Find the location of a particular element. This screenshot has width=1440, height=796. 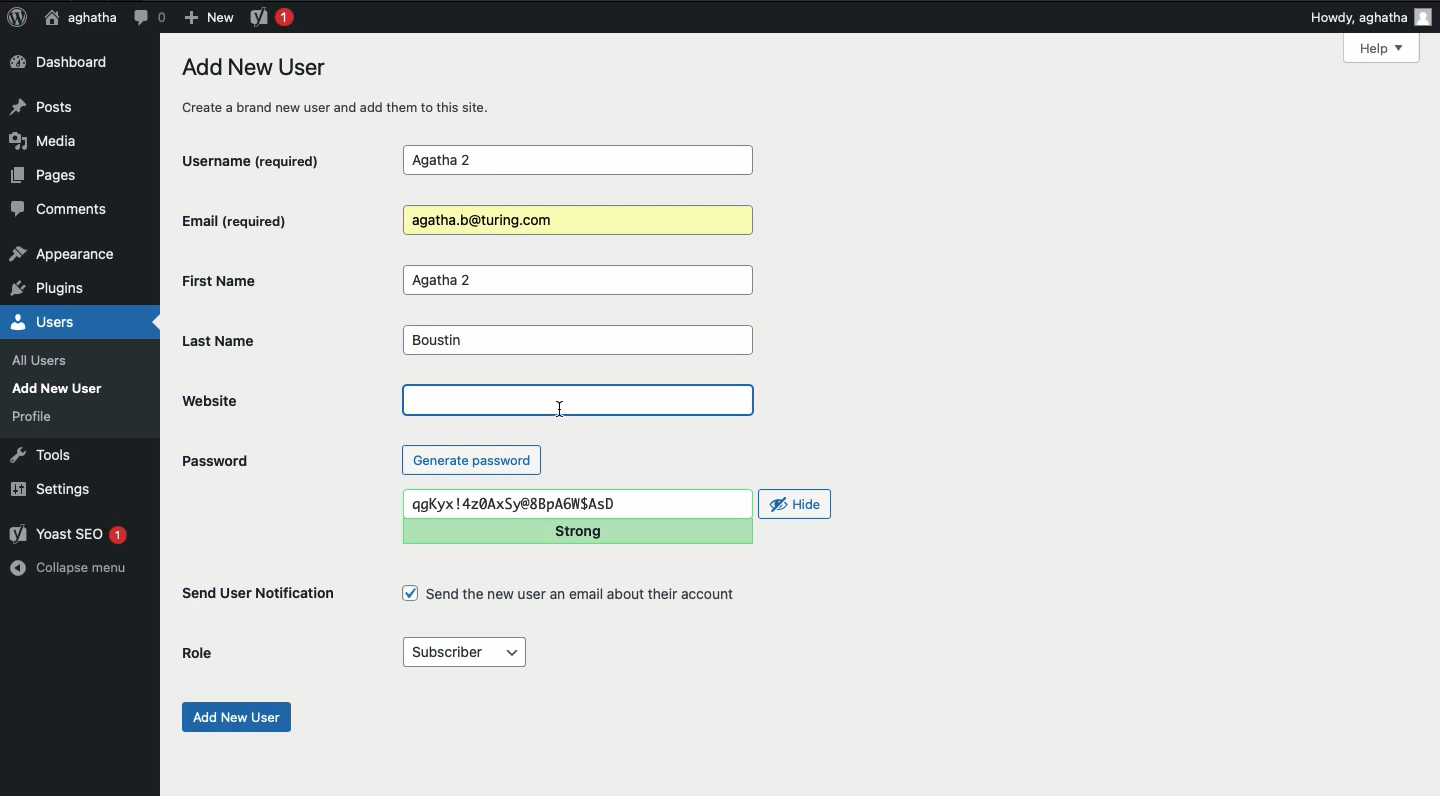

Agatha 2 is located at coordinates (577, 161).